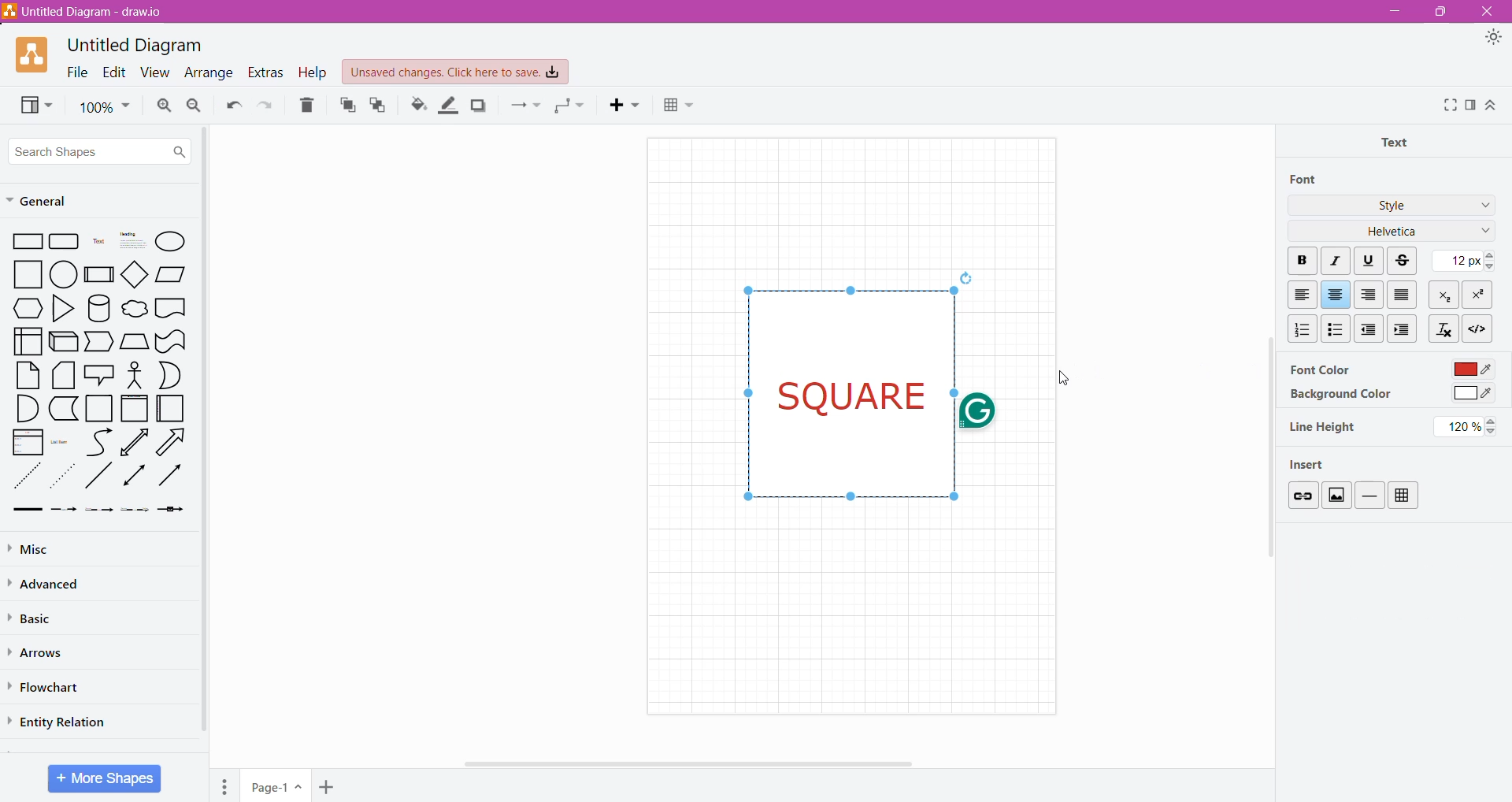 The height and width of the screenshot is (802, 1512). Describe the element at coordinates (171, 474) in the screenshot. I see `Rightward Thick Arrow` at that location.